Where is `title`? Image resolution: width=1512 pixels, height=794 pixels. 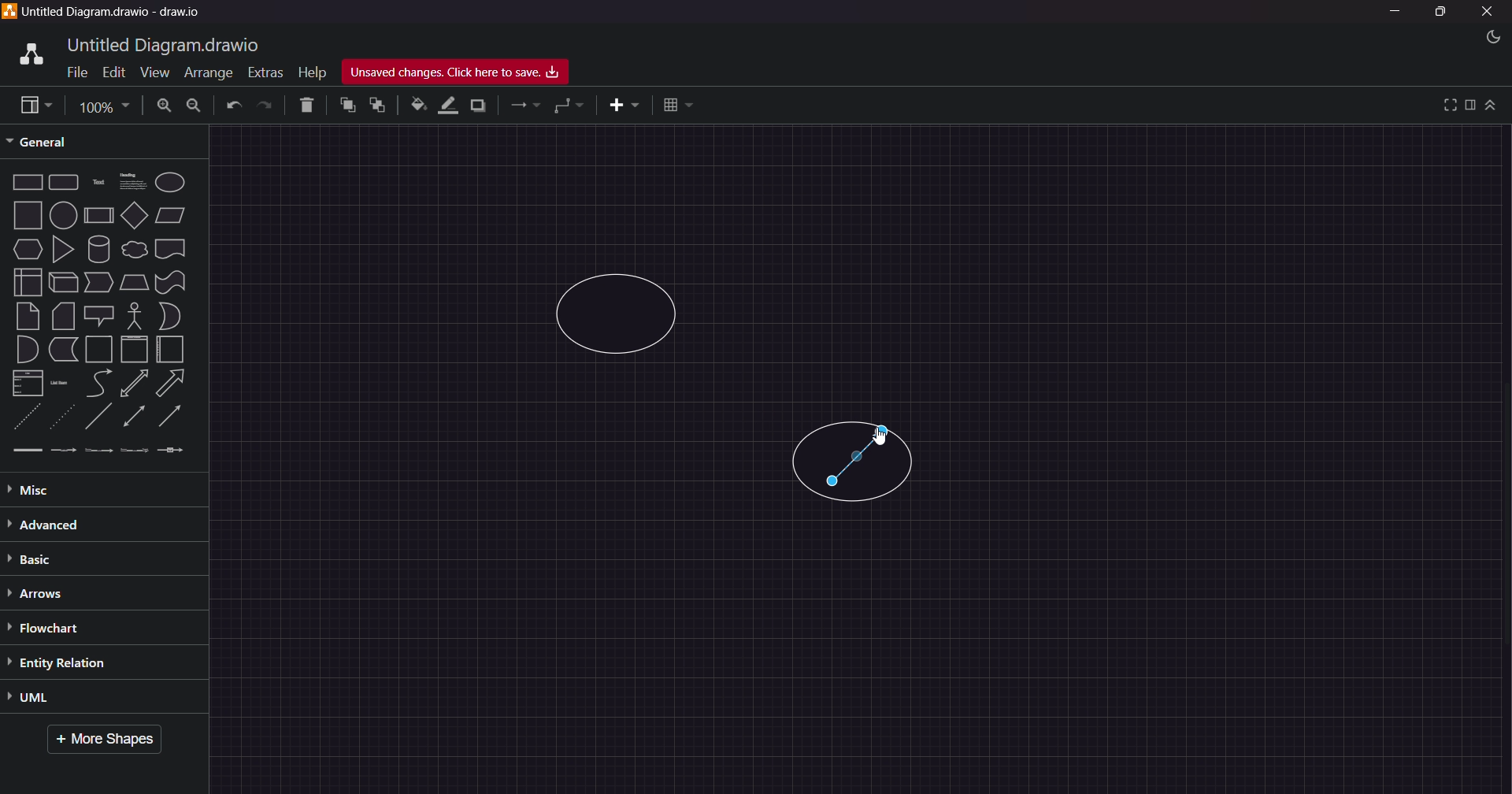
title is located at coordinates (166, 43).